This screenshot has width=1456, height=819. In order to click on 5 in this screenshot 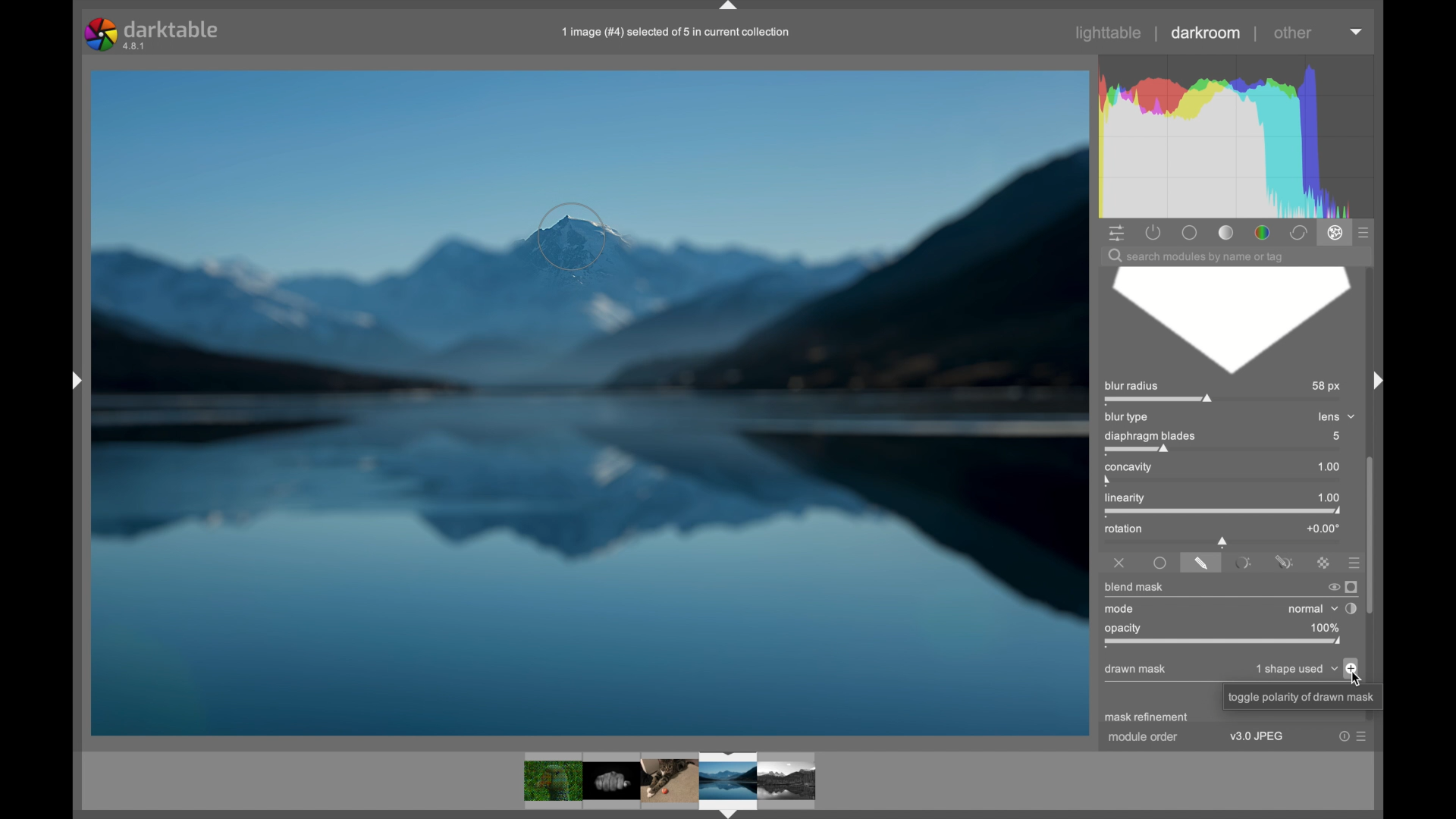, I will do `click(1335, 437)`.